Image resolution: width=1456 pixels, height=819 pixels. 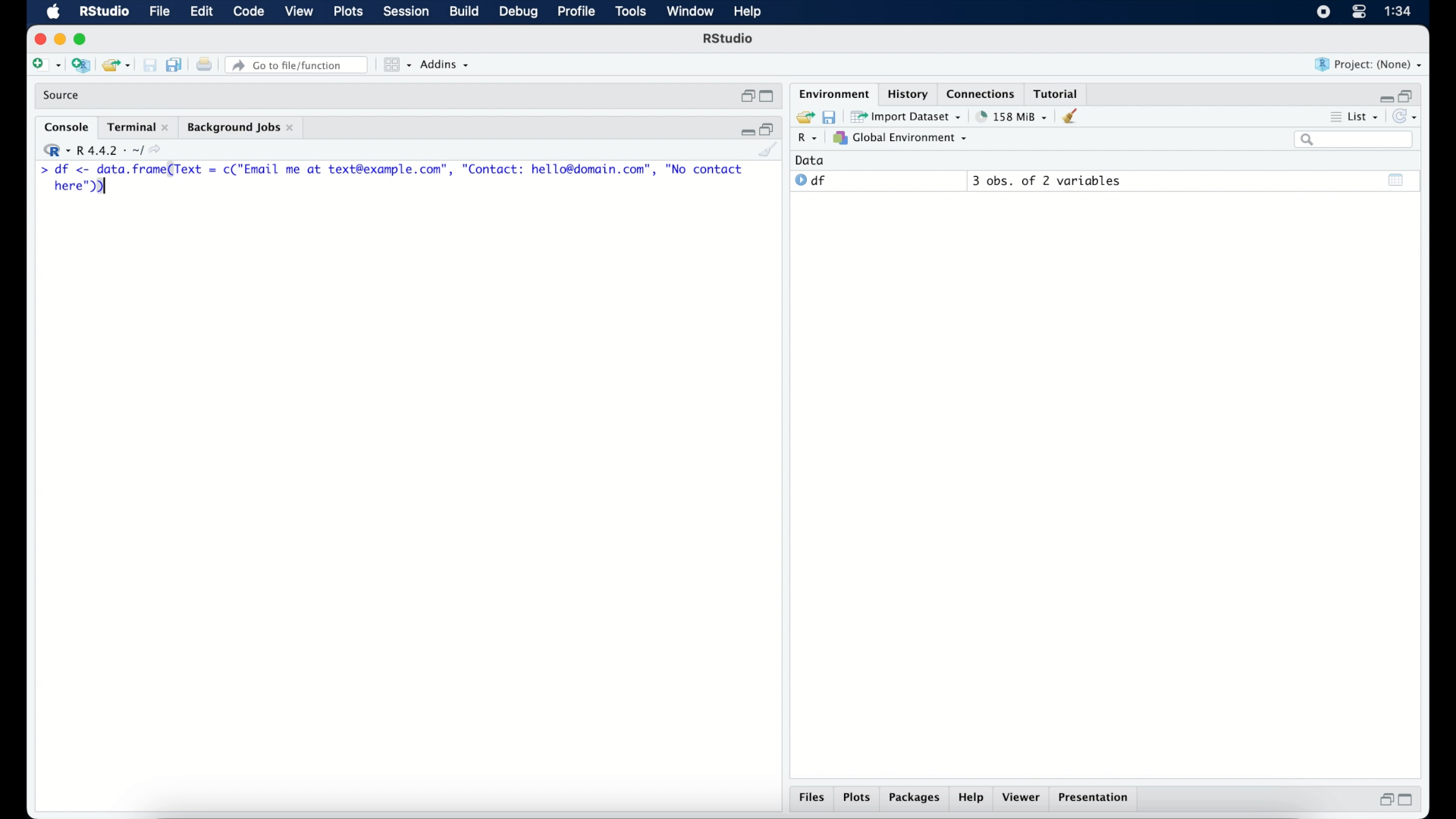 I want to click on files, so click(x=810, y=797).